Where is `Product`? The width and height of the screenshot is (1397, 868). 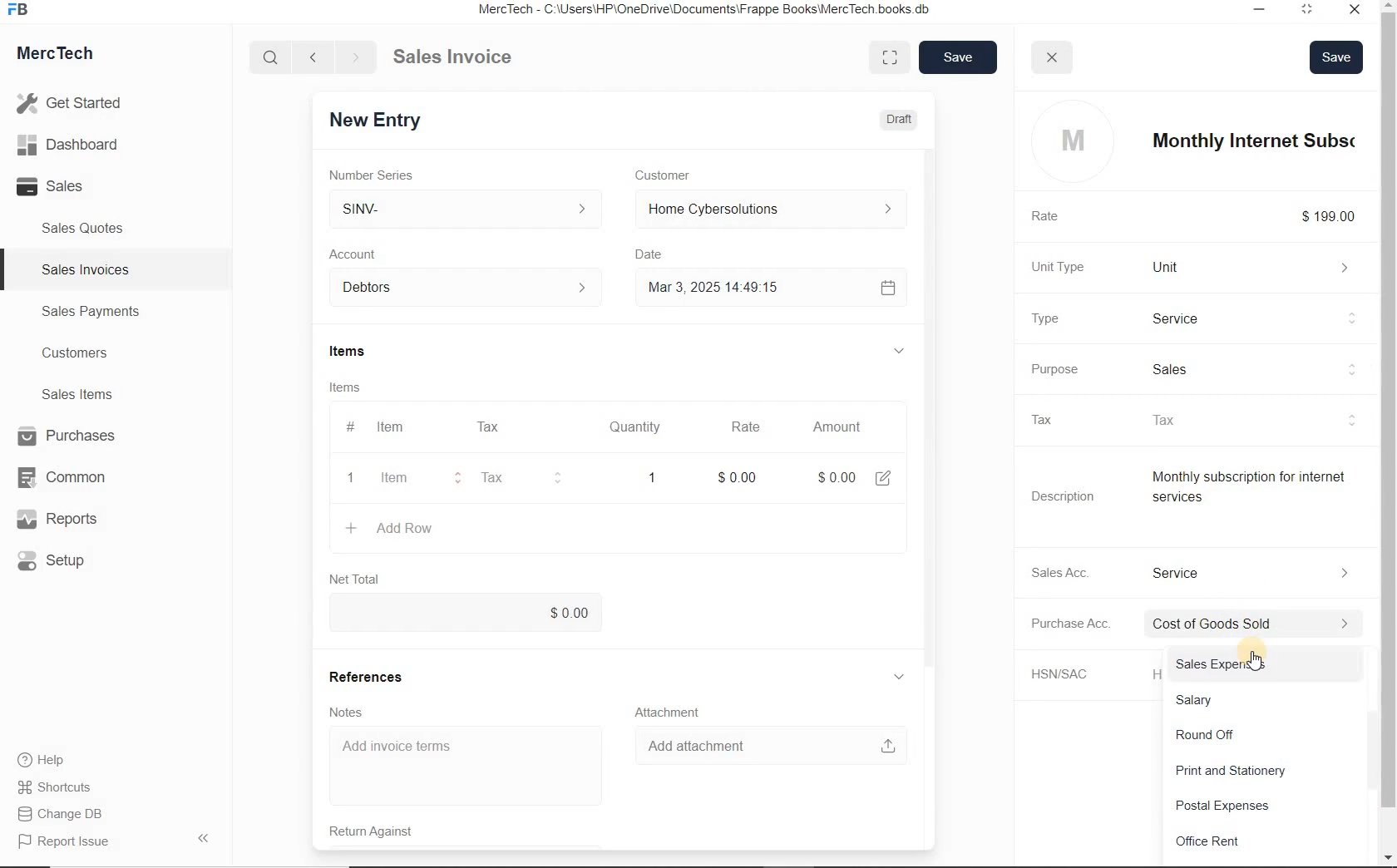 Product is located at coordinates (1261, 318).